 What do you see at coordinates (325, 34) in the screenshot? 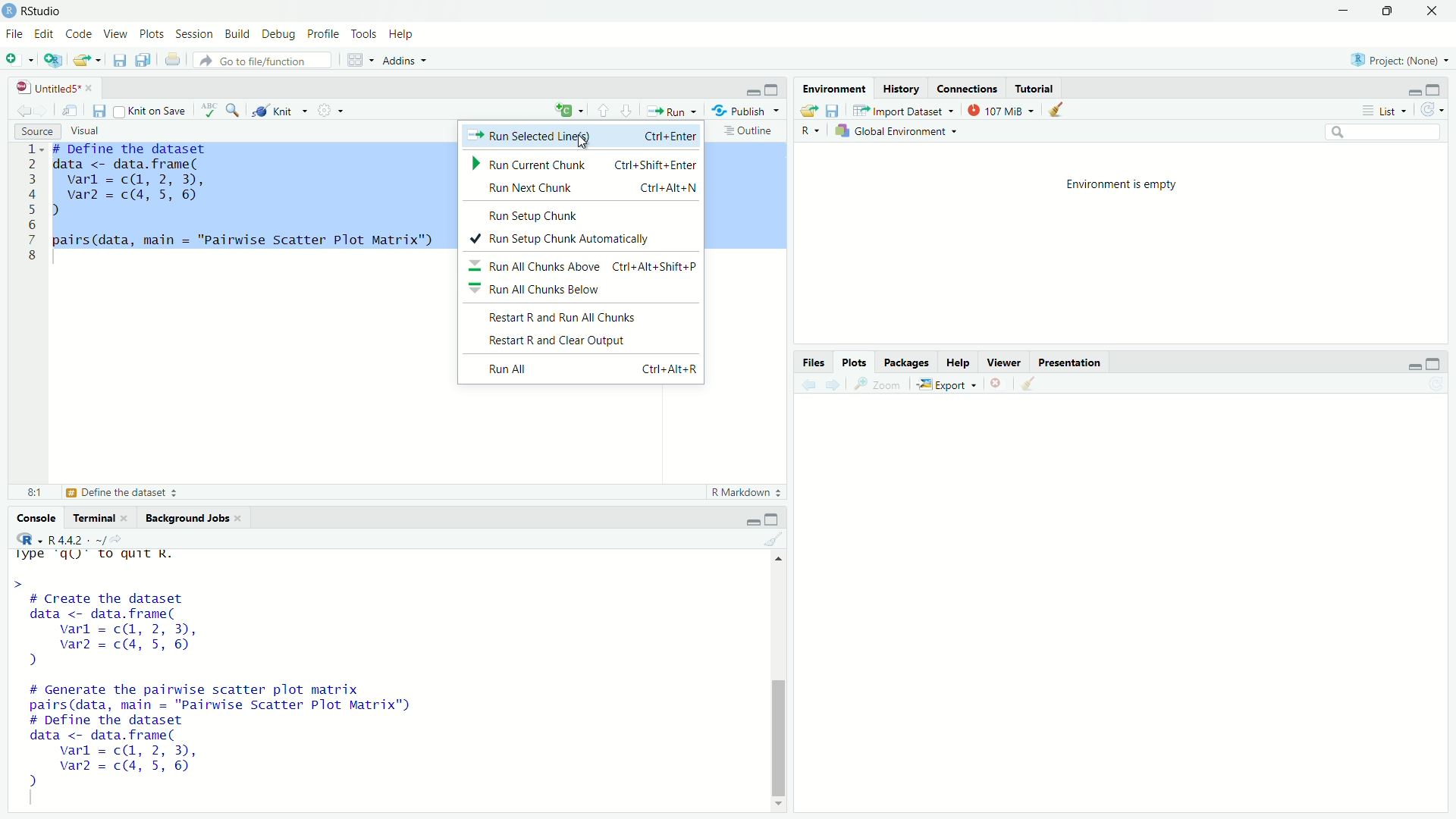
I see `Profile` at bounding box center [325, 34].